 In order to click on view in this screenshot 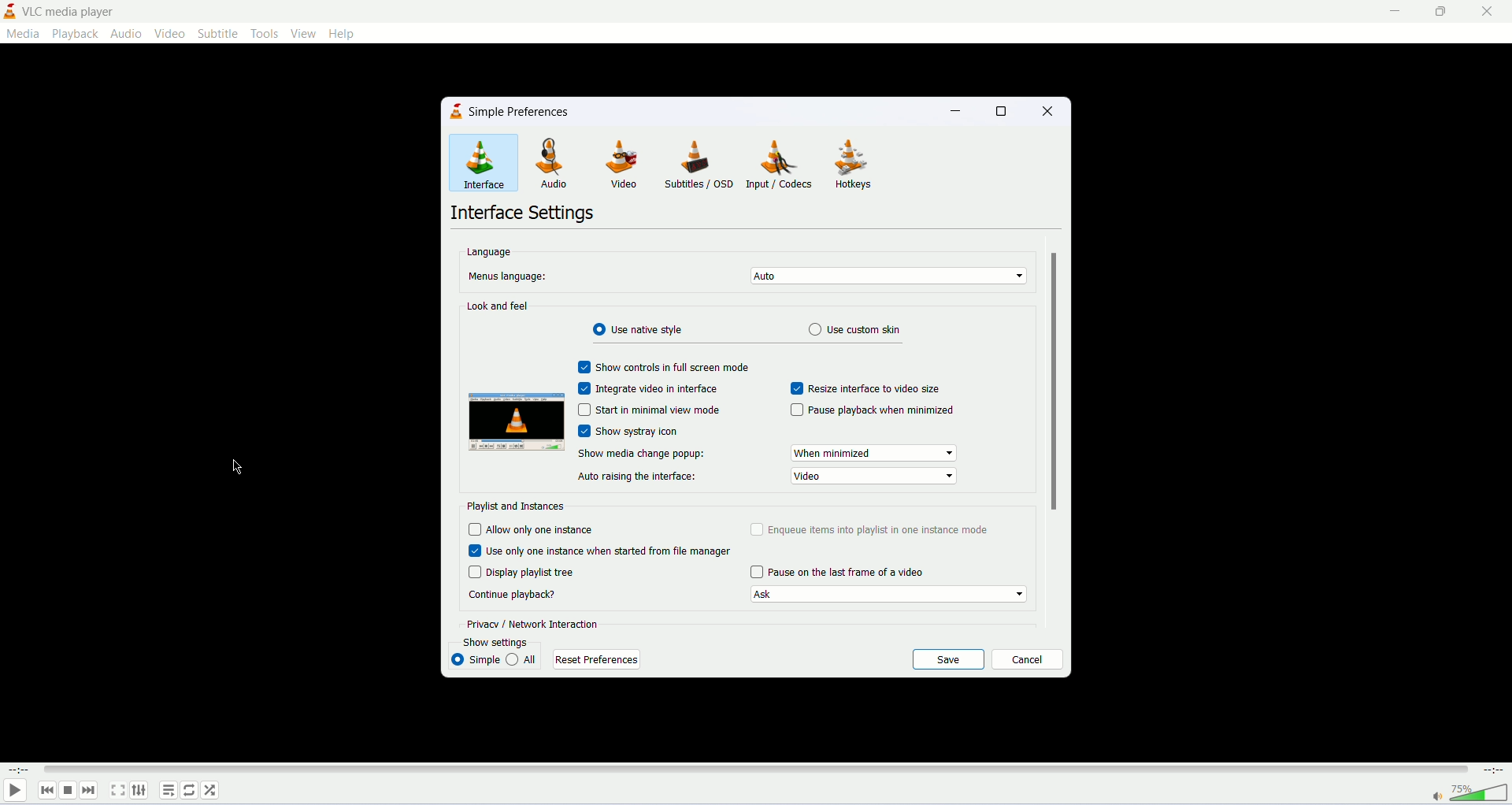, I will do `click(302, 32)`.